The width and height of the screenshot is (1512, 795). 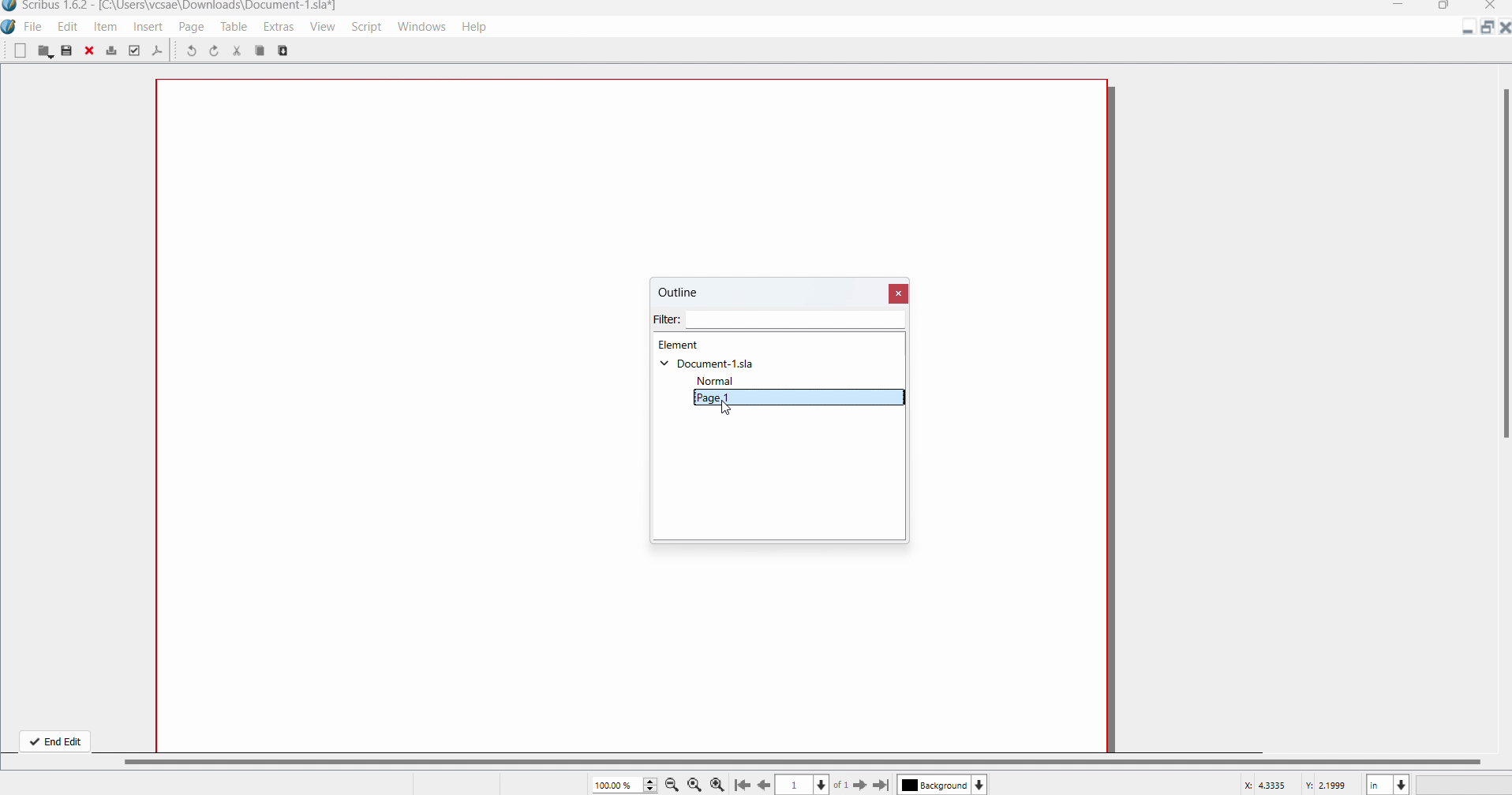 What do you see at coordinates (933, 786) in the screenshot?
I see `background` at bounding box center [933, 786].